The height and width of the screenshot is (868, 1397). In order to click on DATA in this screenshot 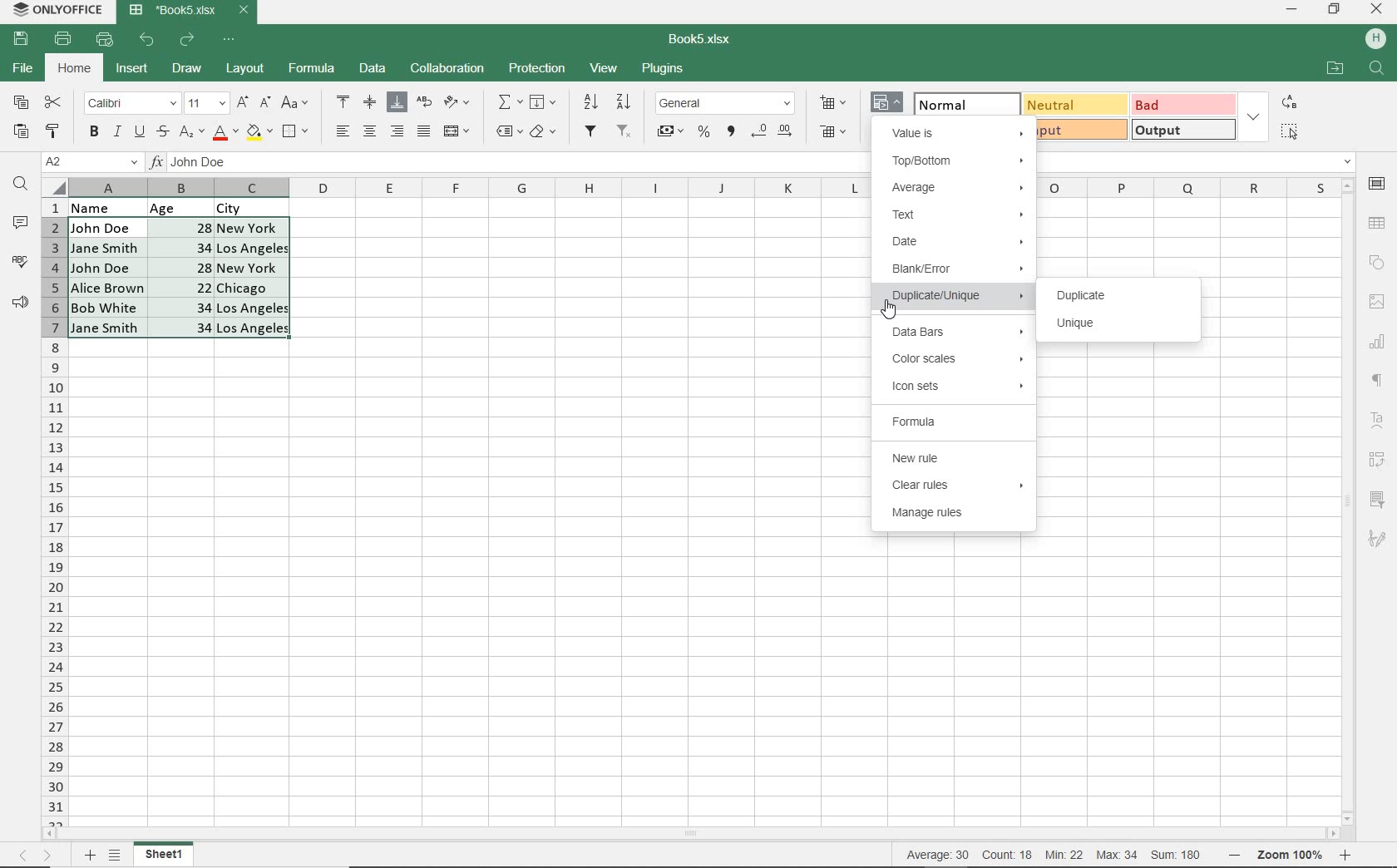, I will do `click(373, 70)`.